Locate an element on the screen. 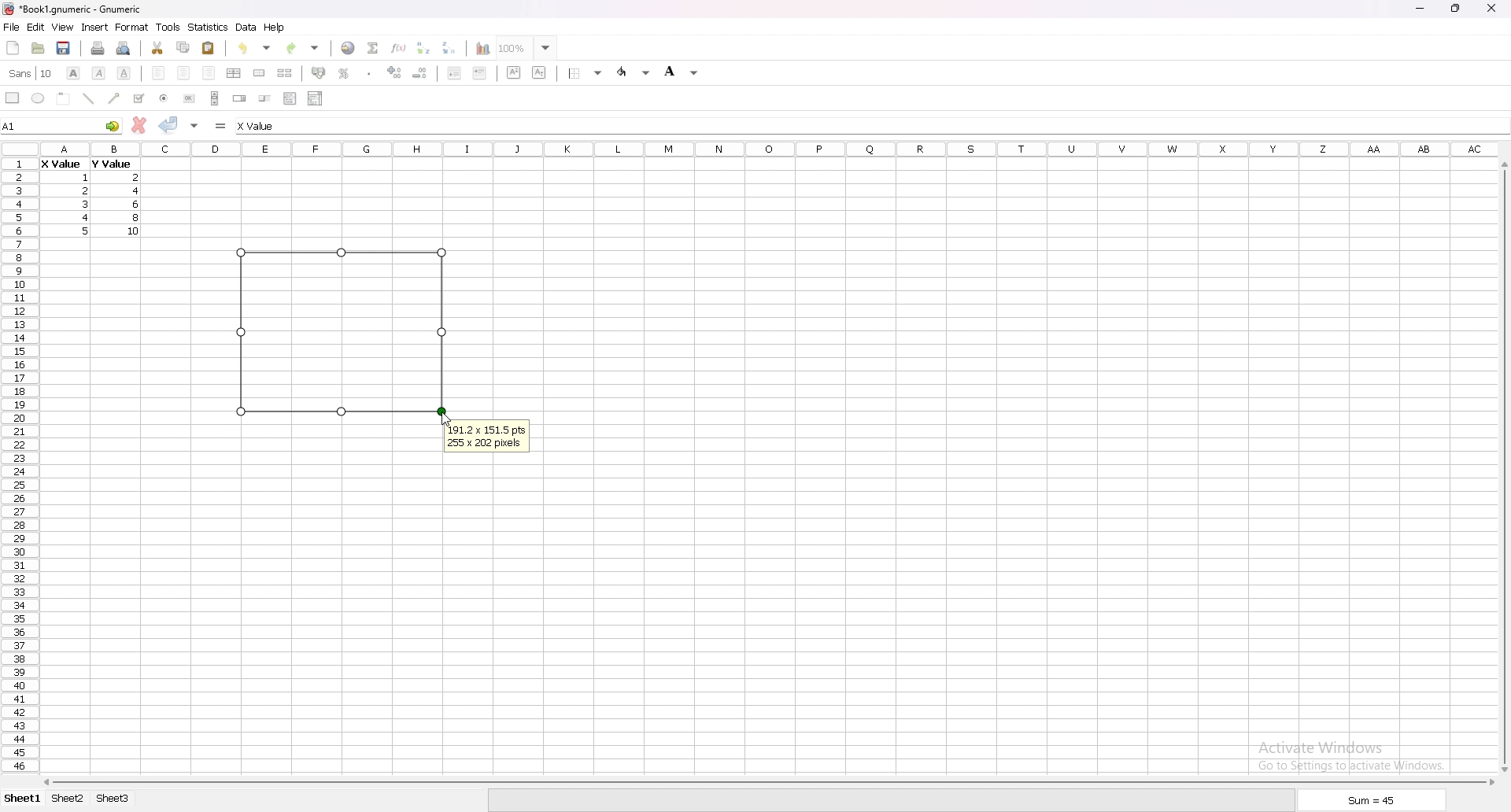  rows is located at coordinates (17, 463).